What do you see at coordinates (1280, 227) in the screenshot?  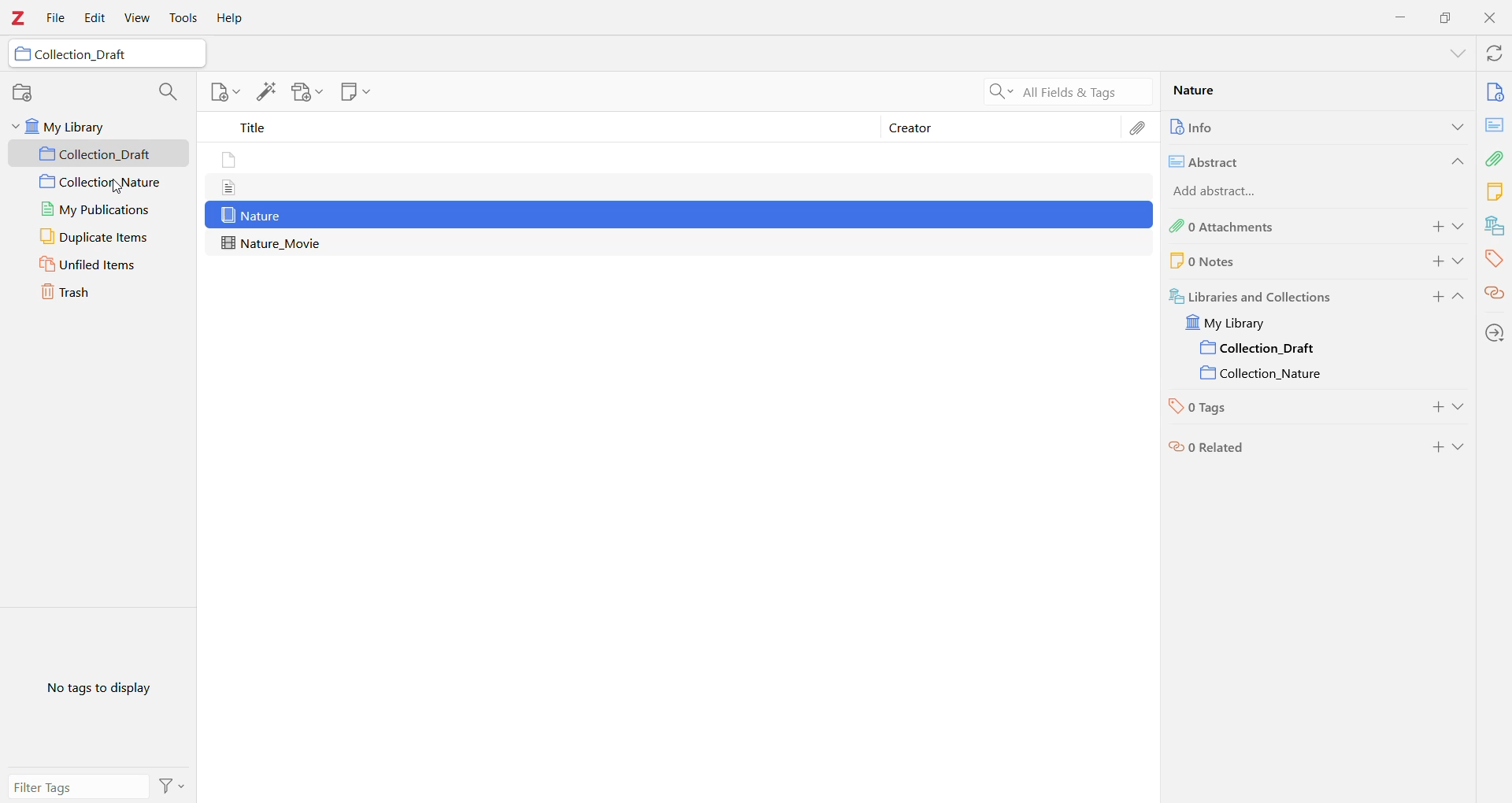 I see `0 Attachments` at bounding box center [1280, 227].